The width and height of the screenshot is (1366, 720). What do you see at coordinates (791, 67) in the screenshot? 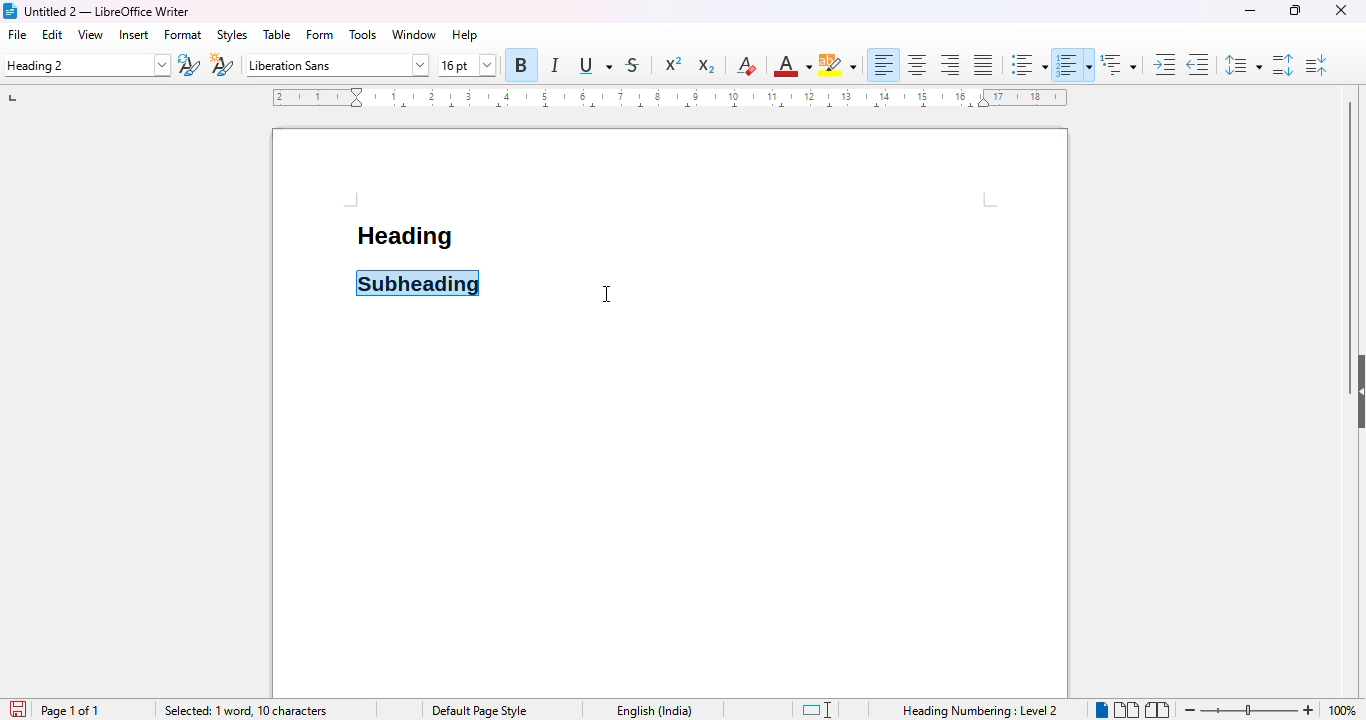
I see `font color` at bounding box center [791, 67].